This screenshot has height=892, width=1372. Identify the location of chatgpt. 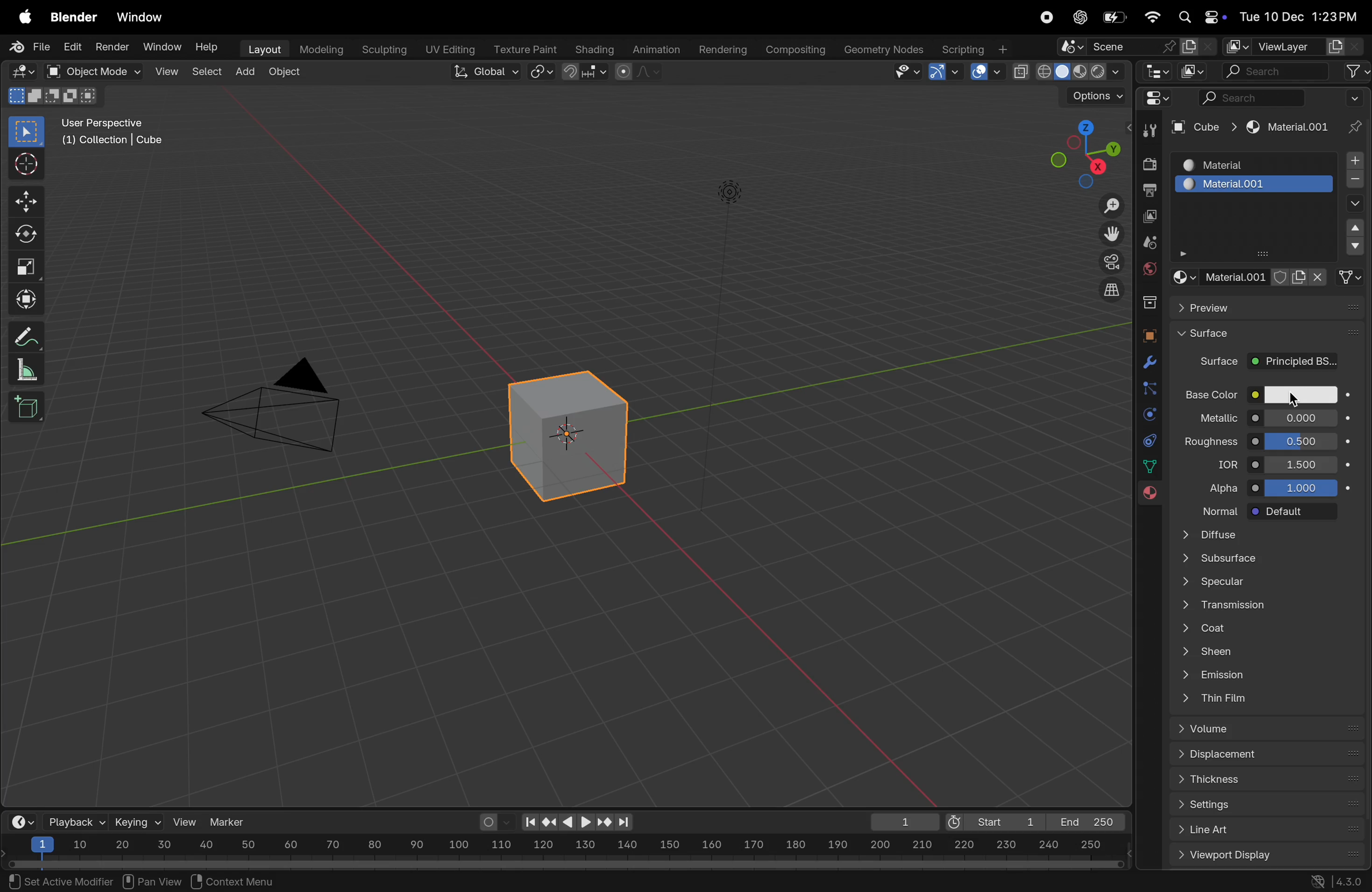
(1078, 17).